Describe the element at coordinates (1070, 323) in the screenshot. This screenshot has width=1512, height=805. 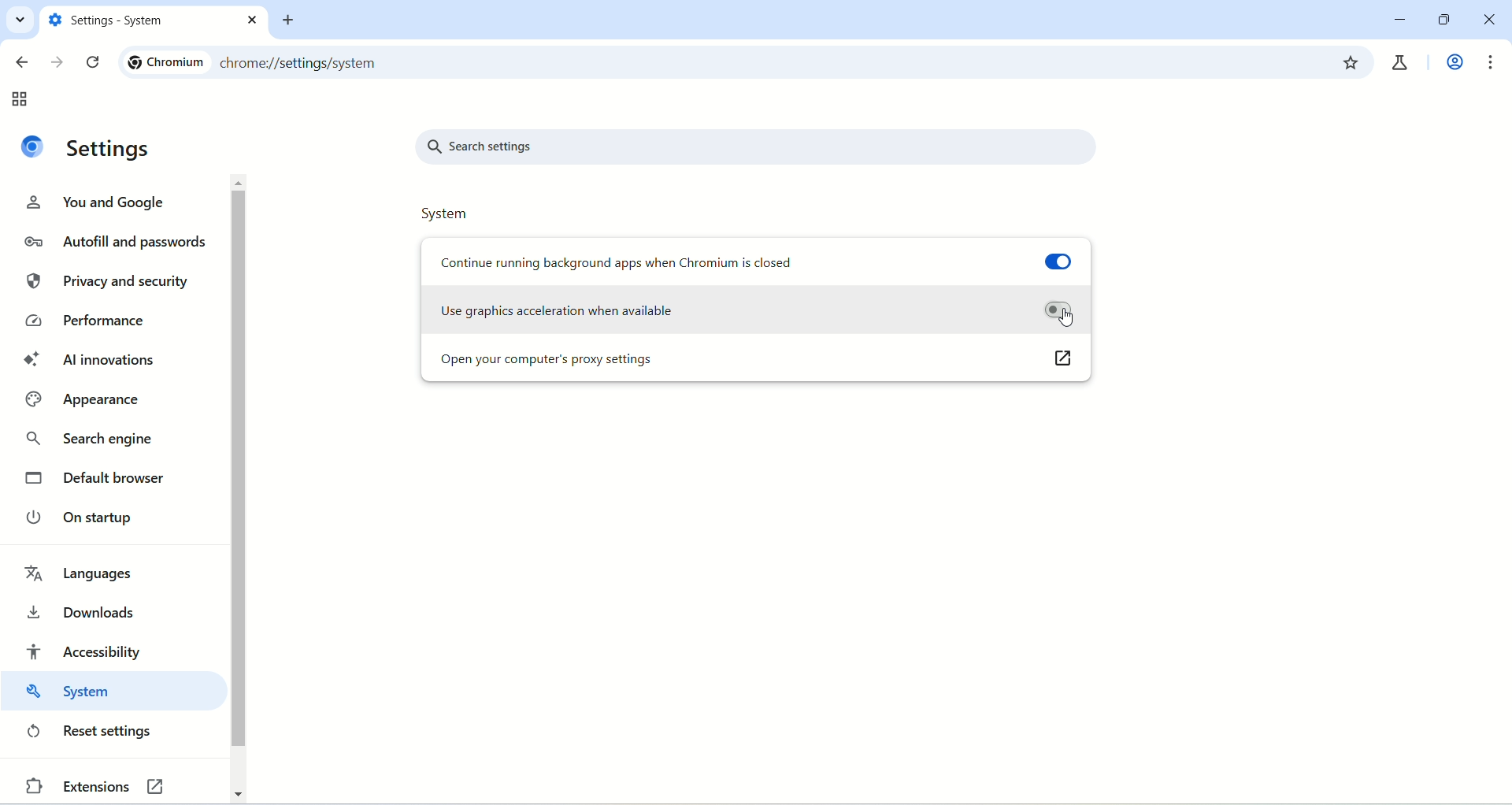
I see `cursor` at that location.